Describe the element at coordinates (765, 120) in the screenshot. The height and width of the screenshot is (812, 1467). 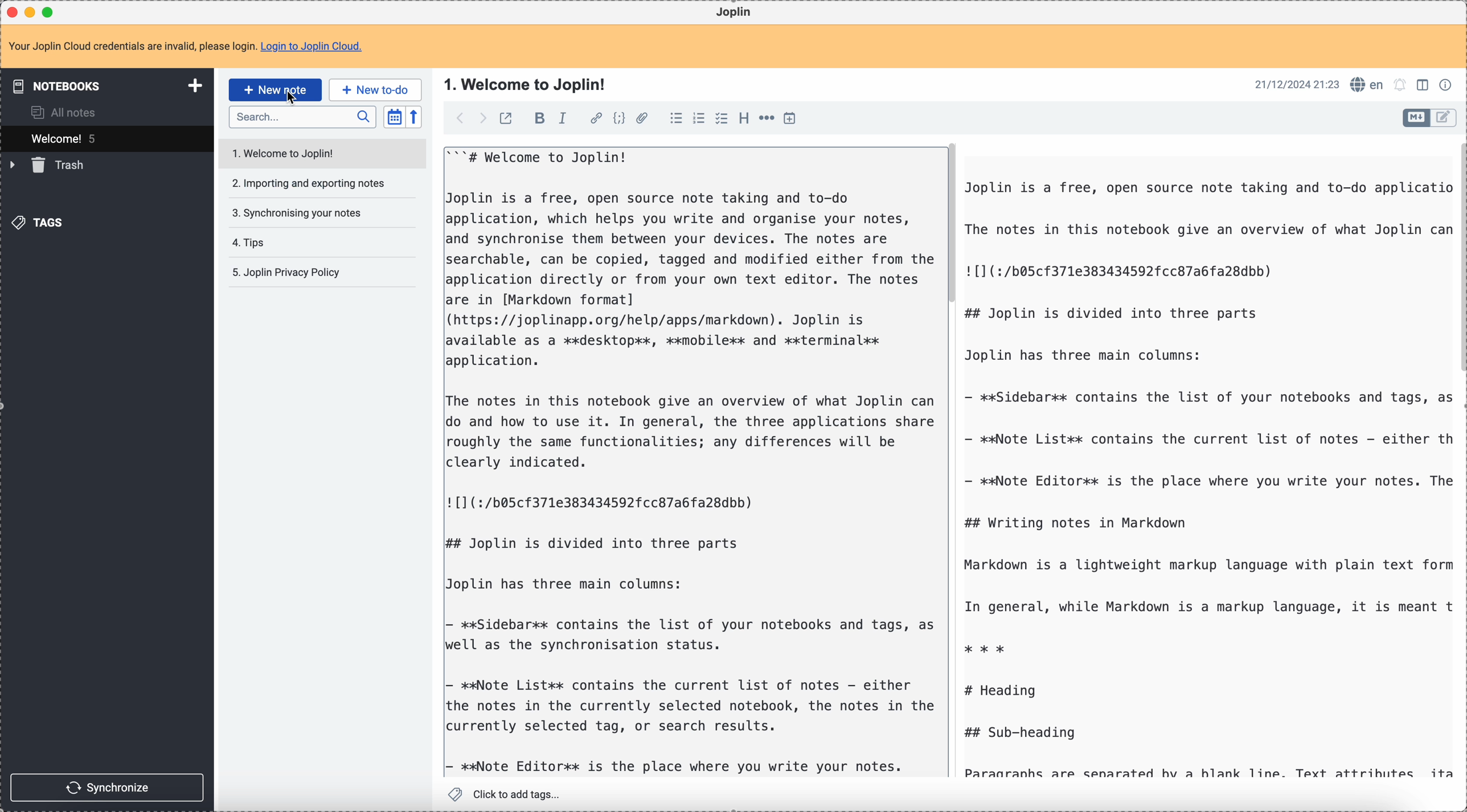
I see `horizontal rule` at that location.